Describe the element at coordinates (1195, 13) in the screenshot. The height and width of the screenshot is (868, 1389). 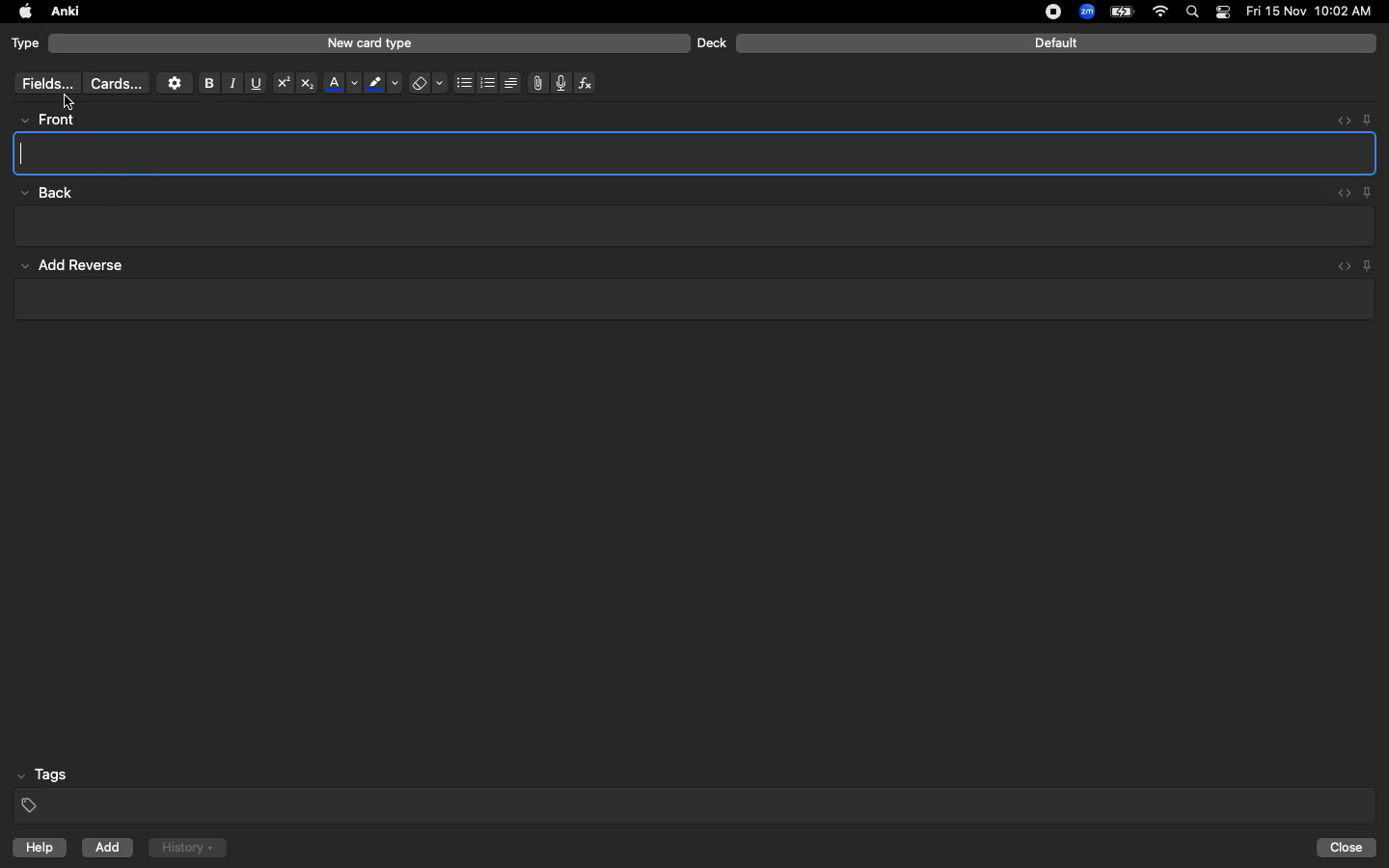
I see `Search` at that location.